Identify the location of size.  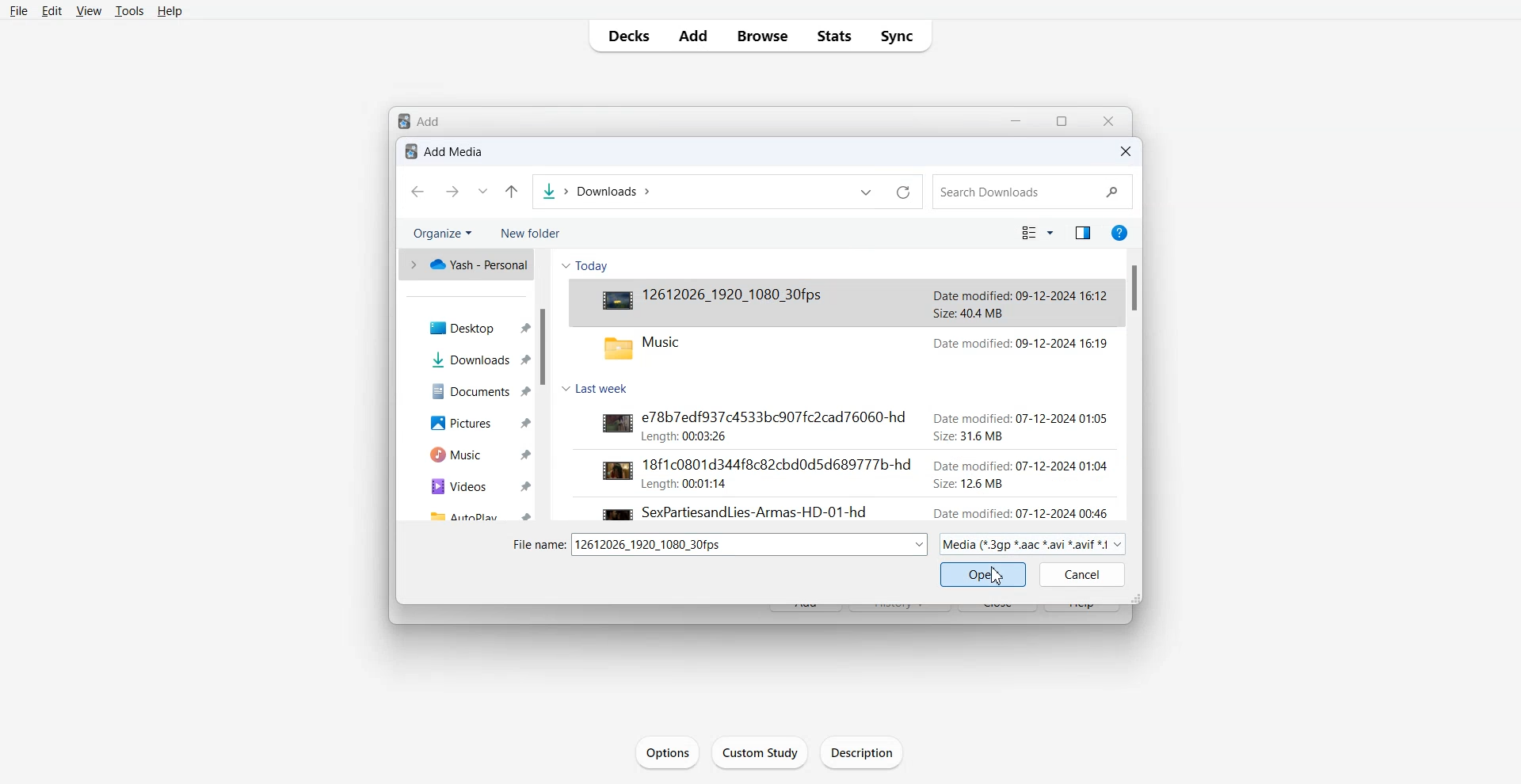
(969, 436).